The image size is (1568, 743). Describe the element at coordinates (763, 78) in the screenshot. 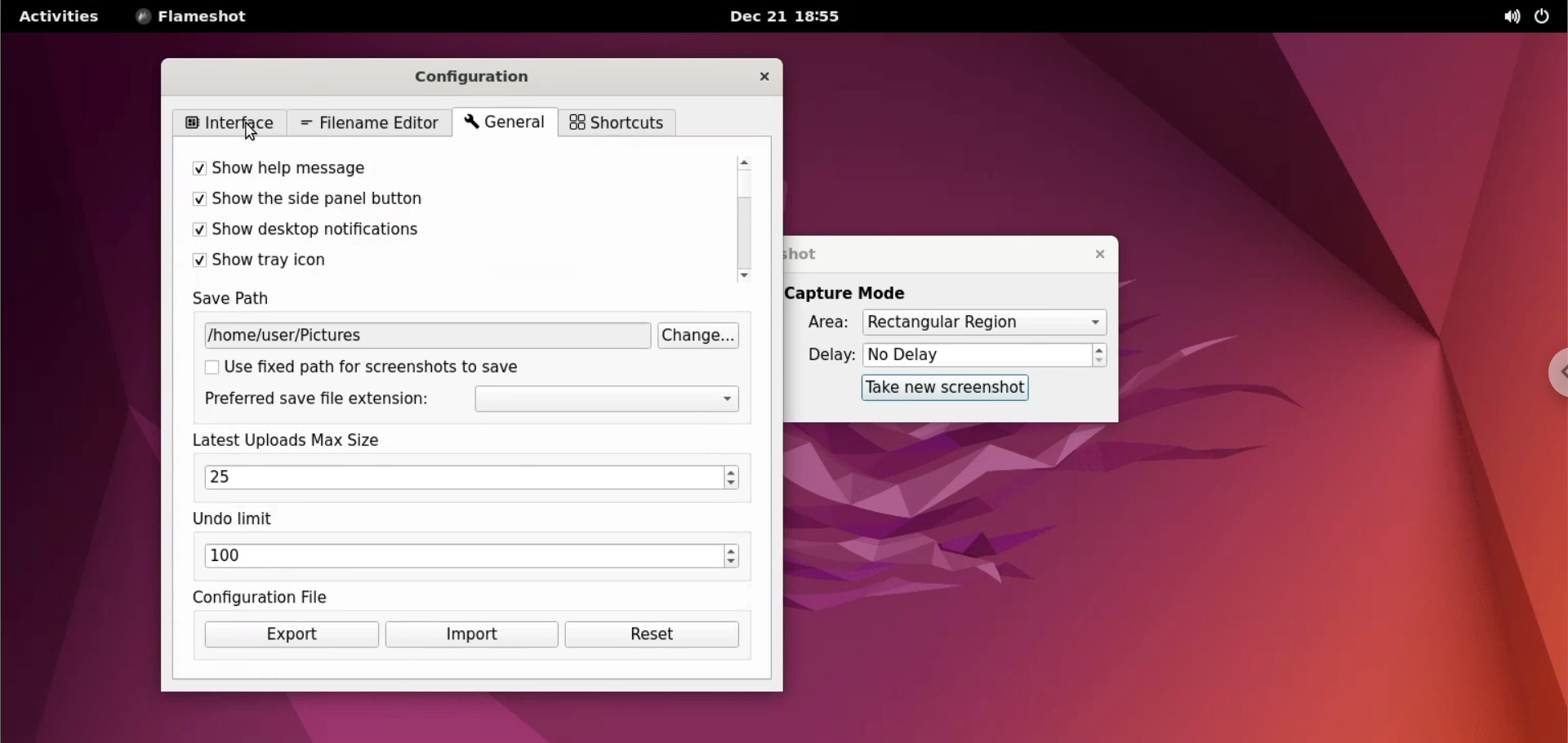

I see `close` at that location.